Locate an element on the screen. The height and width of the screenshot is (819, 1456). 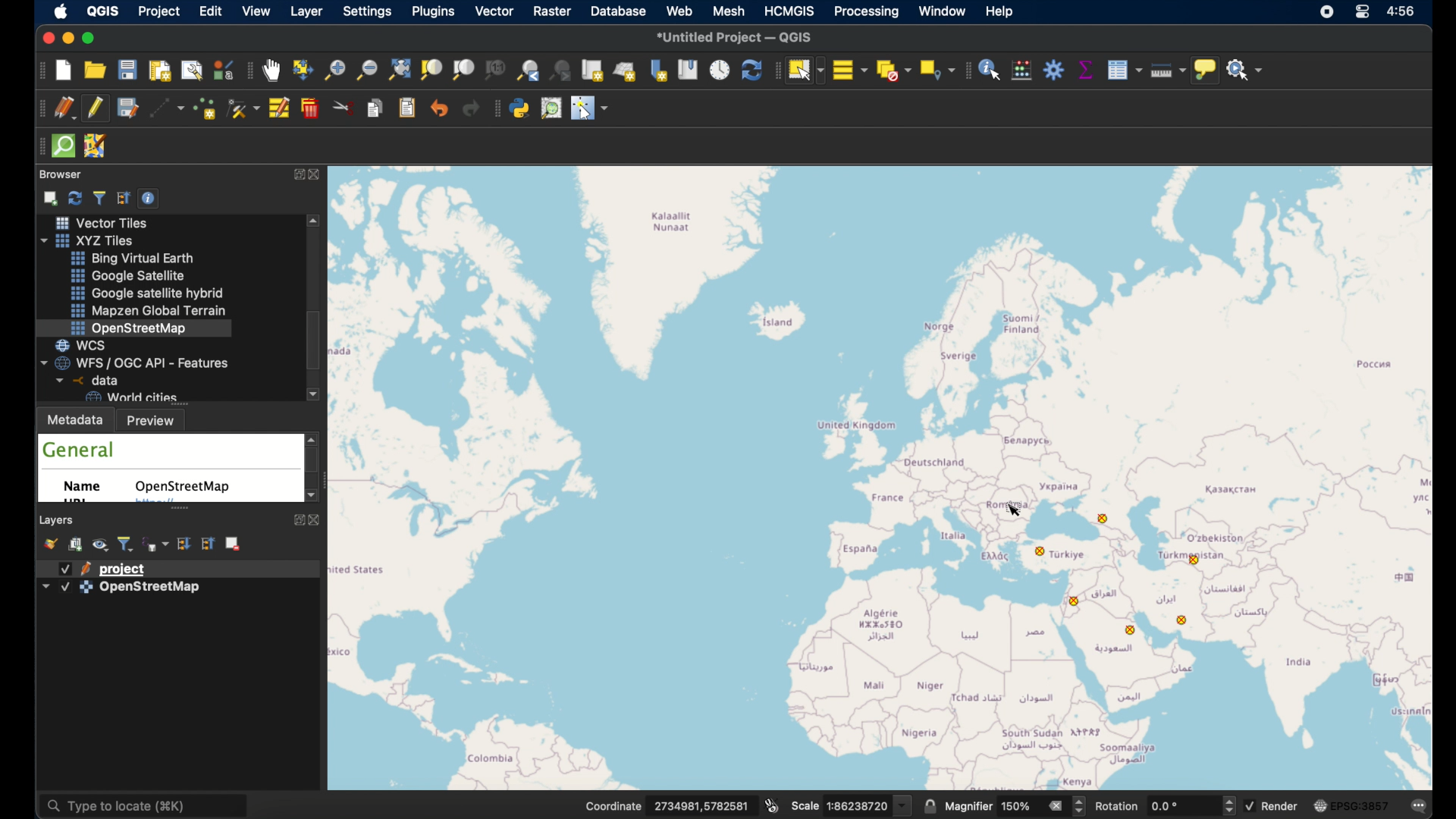
copy features is located at coordinates (377, 110).